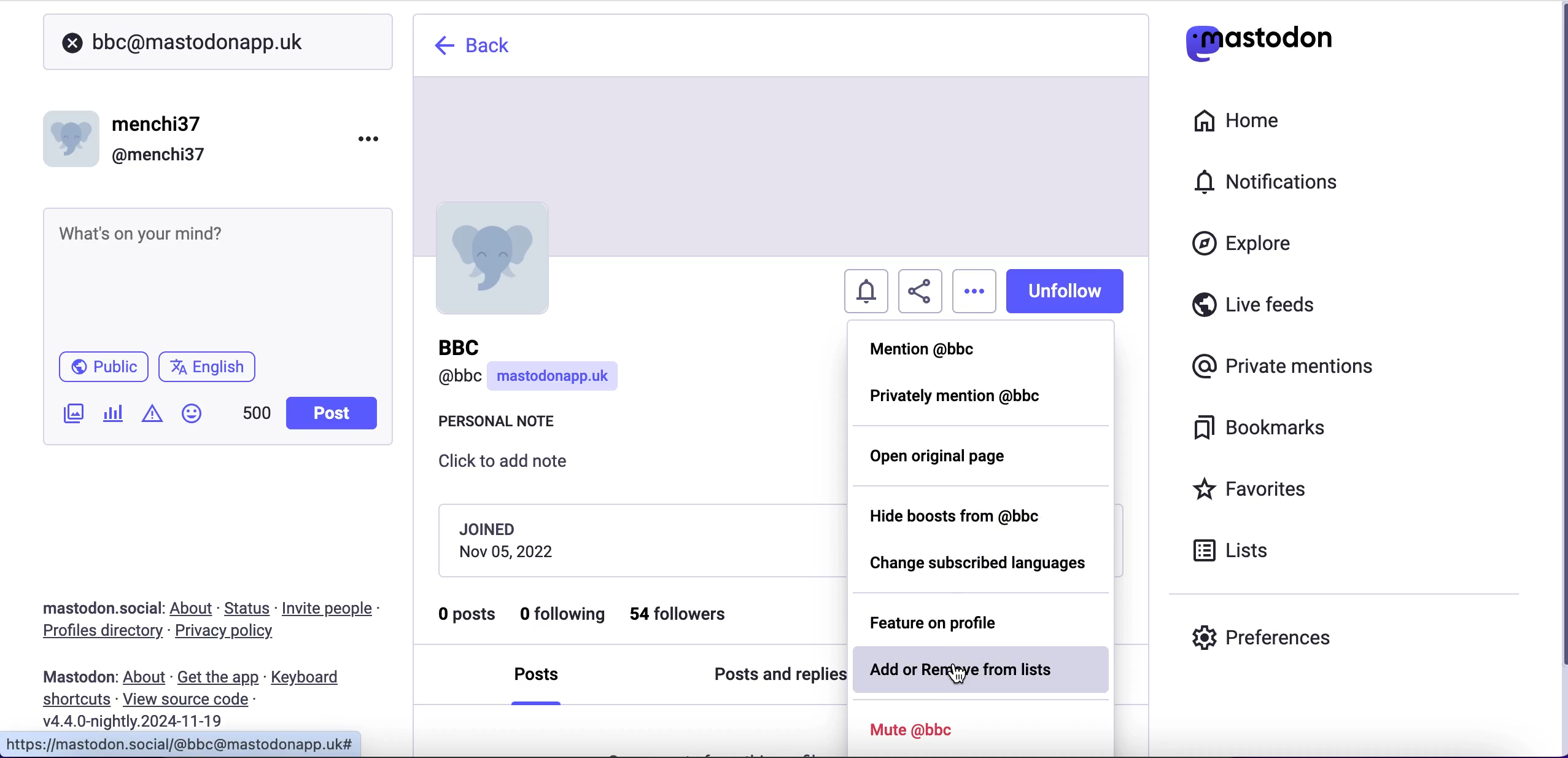 The image size is (1568, 758). I want to click on add an image, so click(72, 413).